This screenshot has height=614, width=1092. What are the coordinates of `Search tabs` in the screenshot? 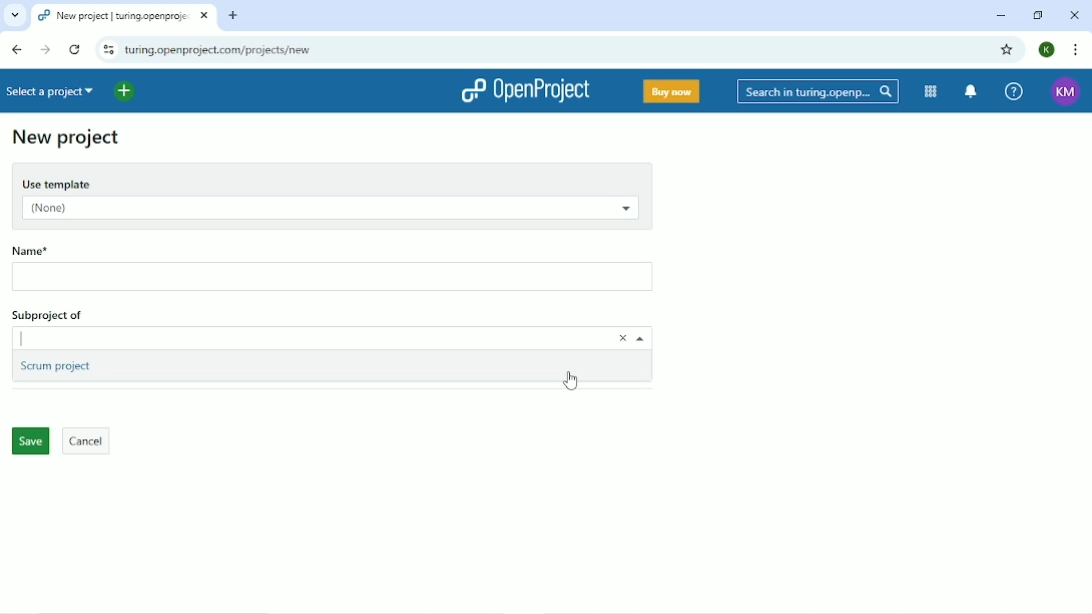 It's located at (14, 16).